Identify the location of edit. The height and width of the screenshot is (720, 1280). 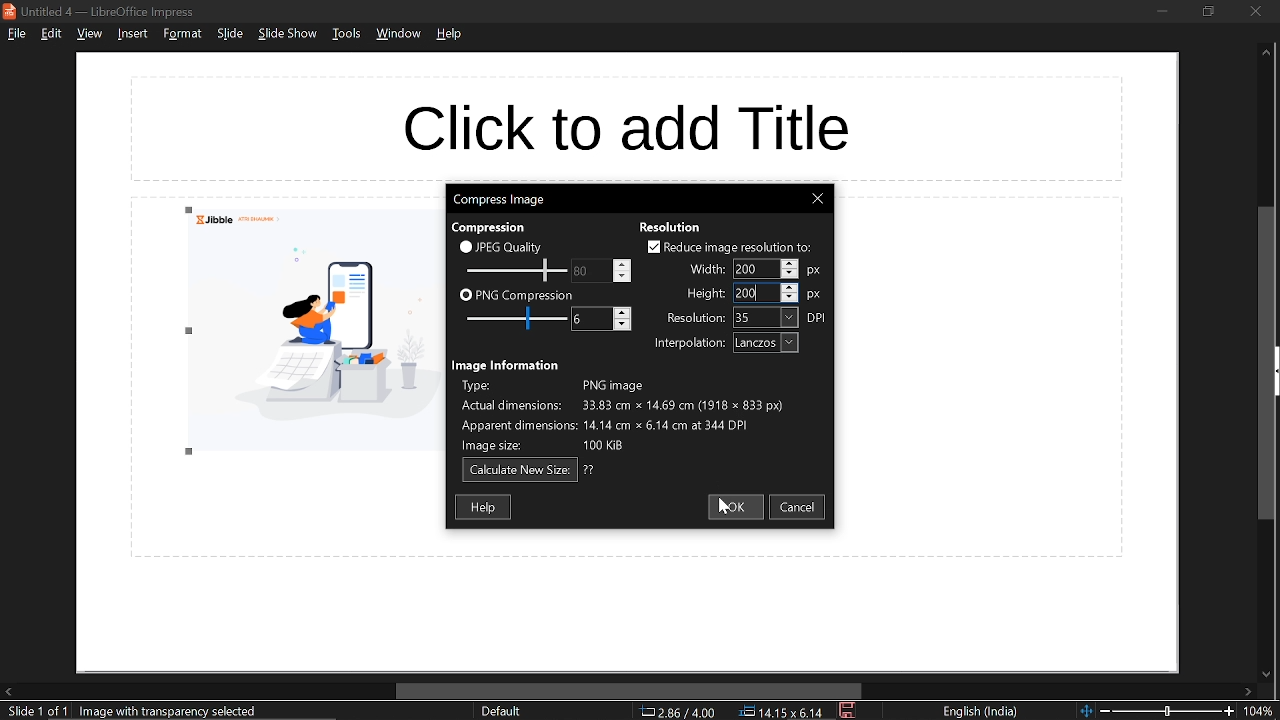
(53, 33).